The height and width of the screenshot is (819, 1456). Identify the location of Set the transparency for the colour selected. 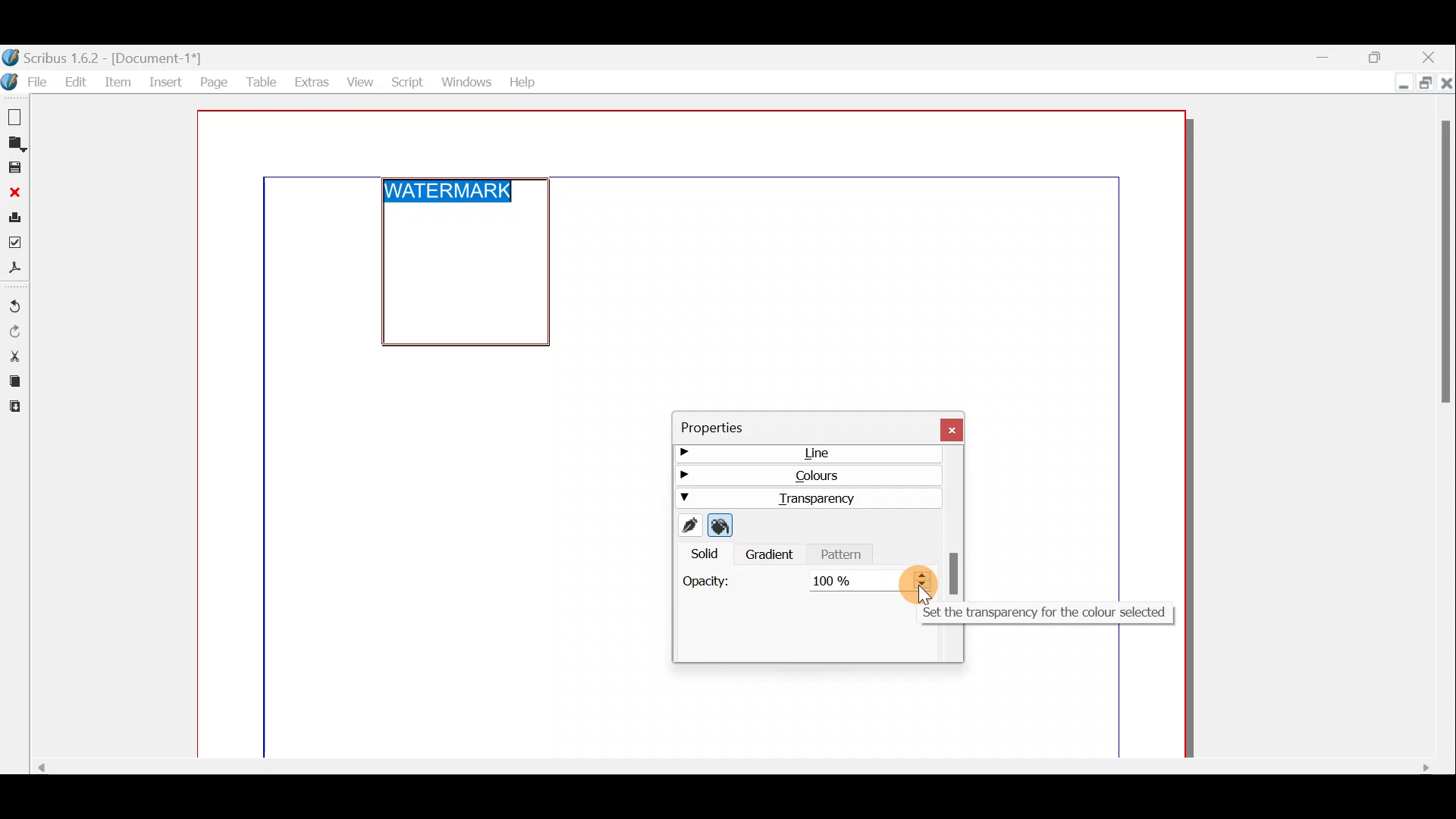
(926, 579).